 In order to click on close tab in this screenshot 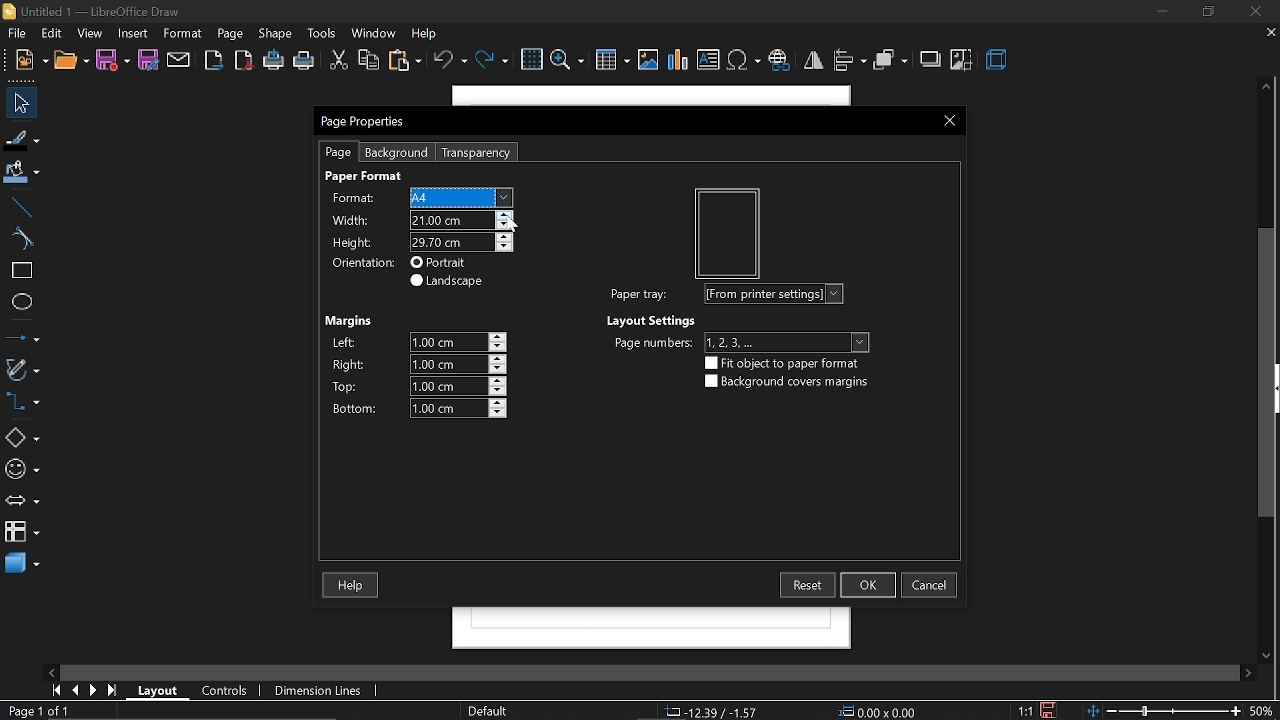, I will do `click(1269, 32)`.